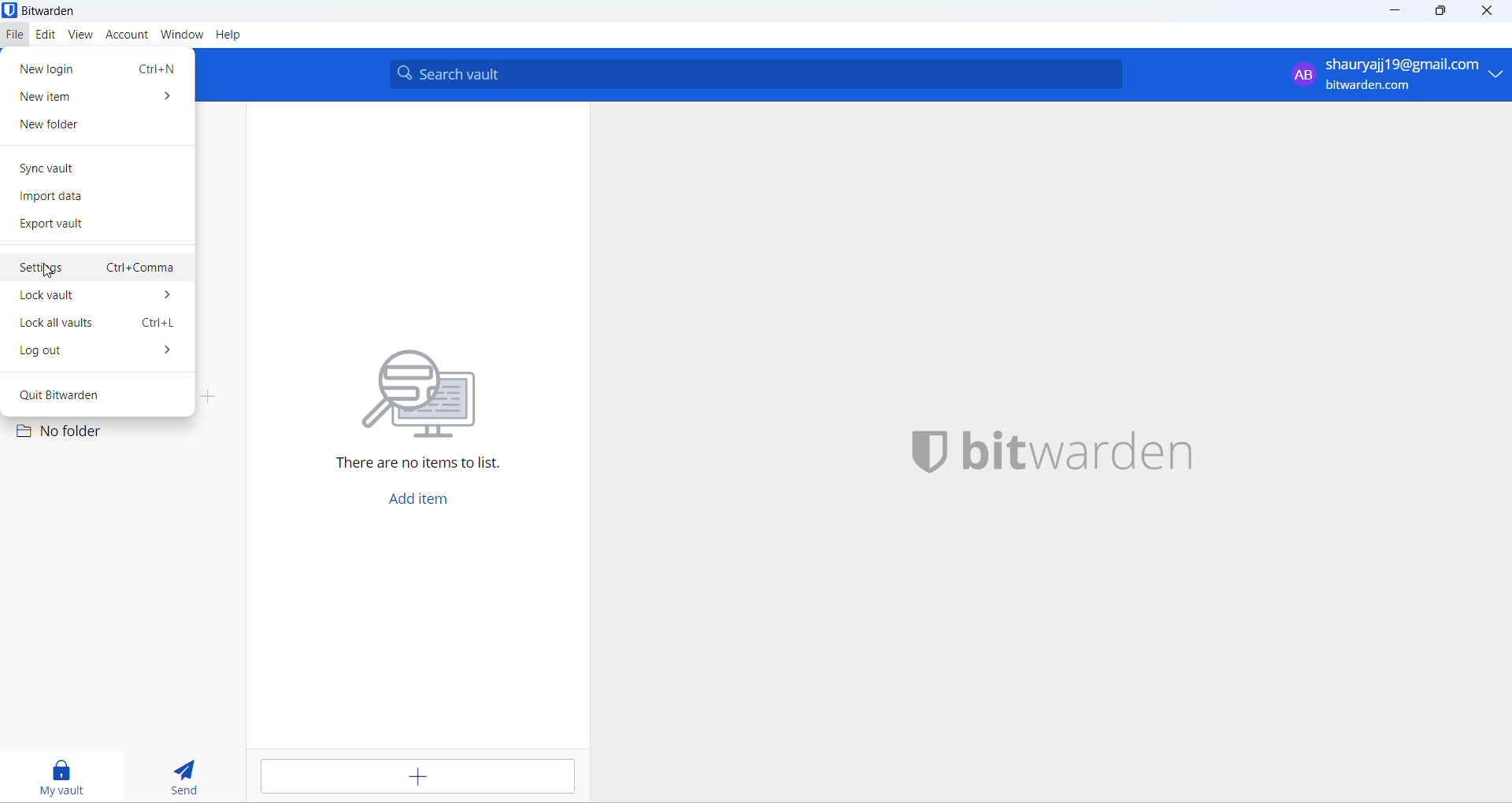 The image size is (1512, 803). Describe the element at coordinates (46, 35) in the screenshot. I see `edit` at that location.